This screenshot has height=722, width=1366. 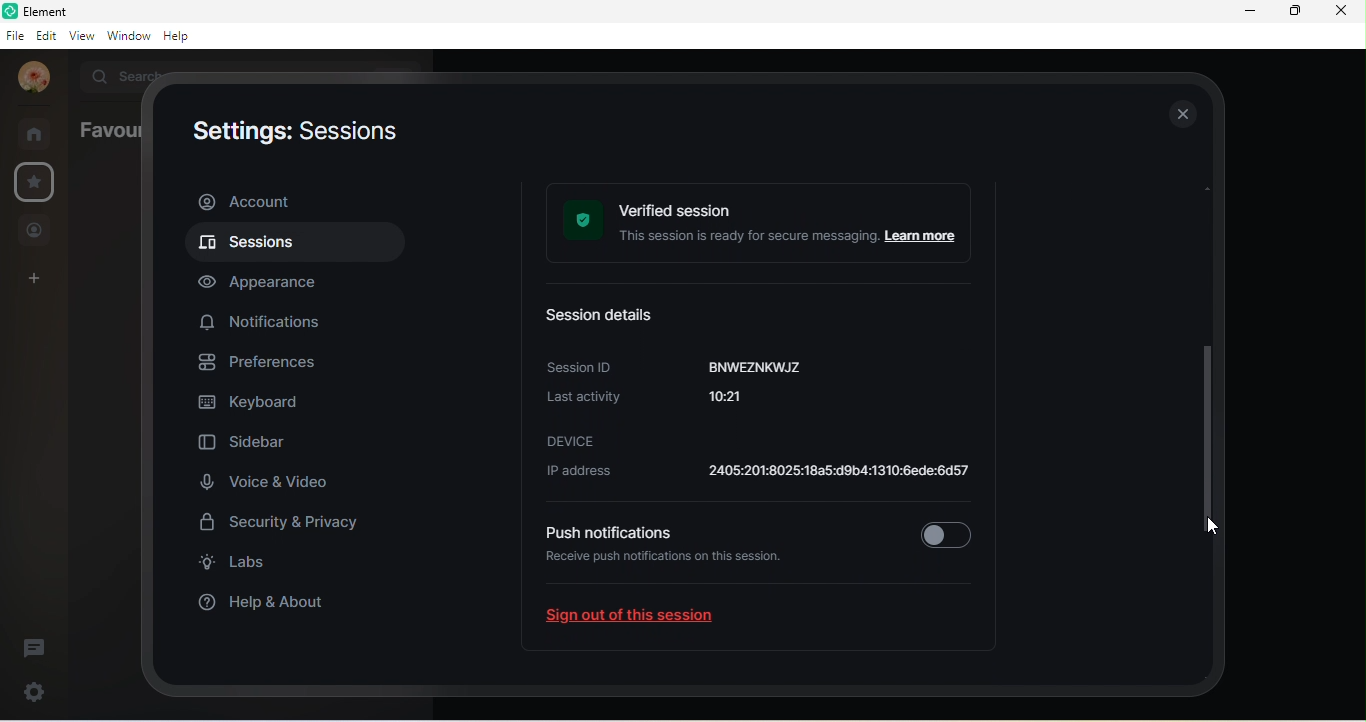 What do you see at coordinates (610, 317) in the screenshot?
I see `session details` at bounding box center [610, 317].